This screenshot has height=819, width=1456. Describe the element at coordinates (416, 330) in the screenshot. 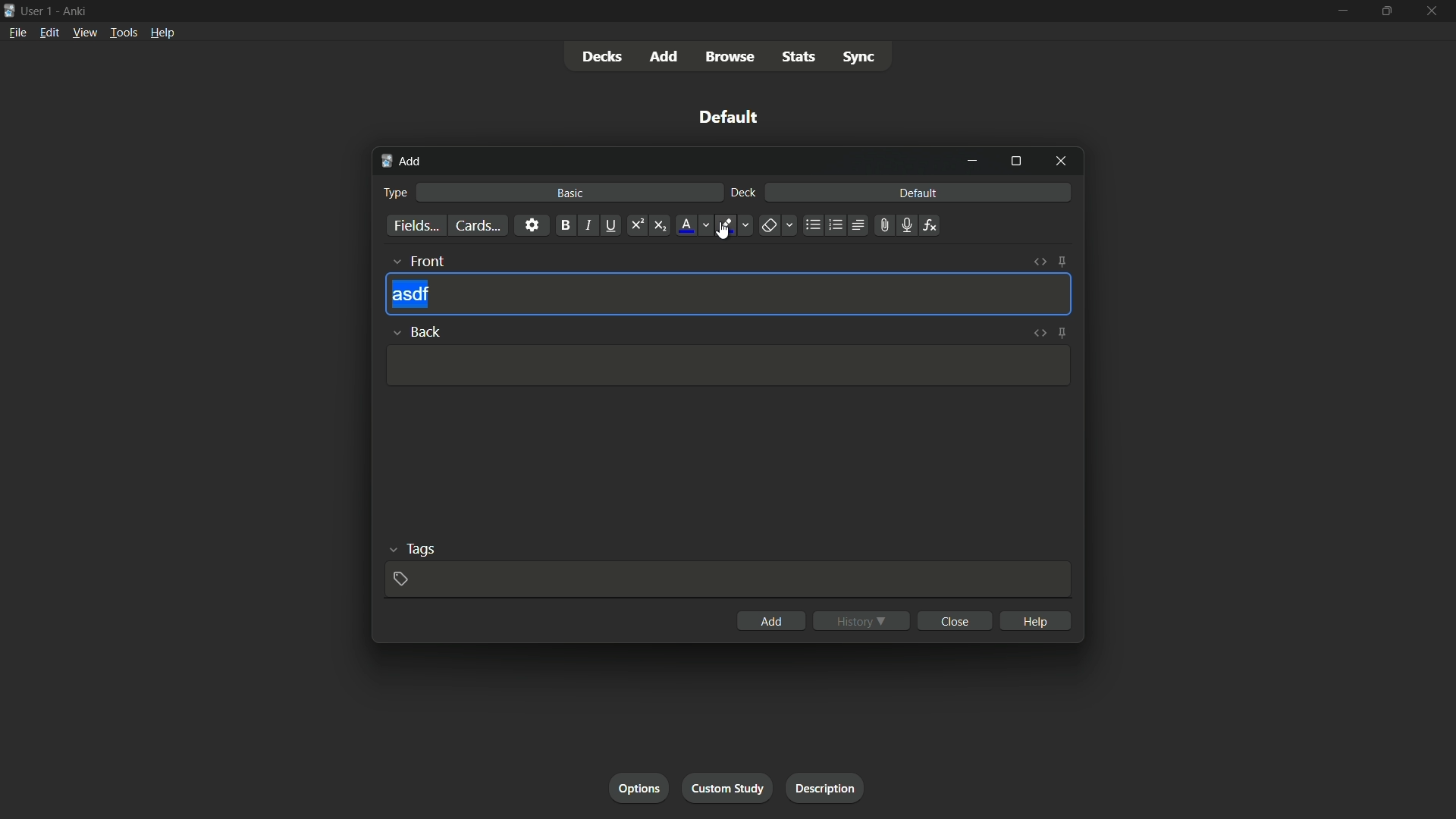

I see `back` at that location.